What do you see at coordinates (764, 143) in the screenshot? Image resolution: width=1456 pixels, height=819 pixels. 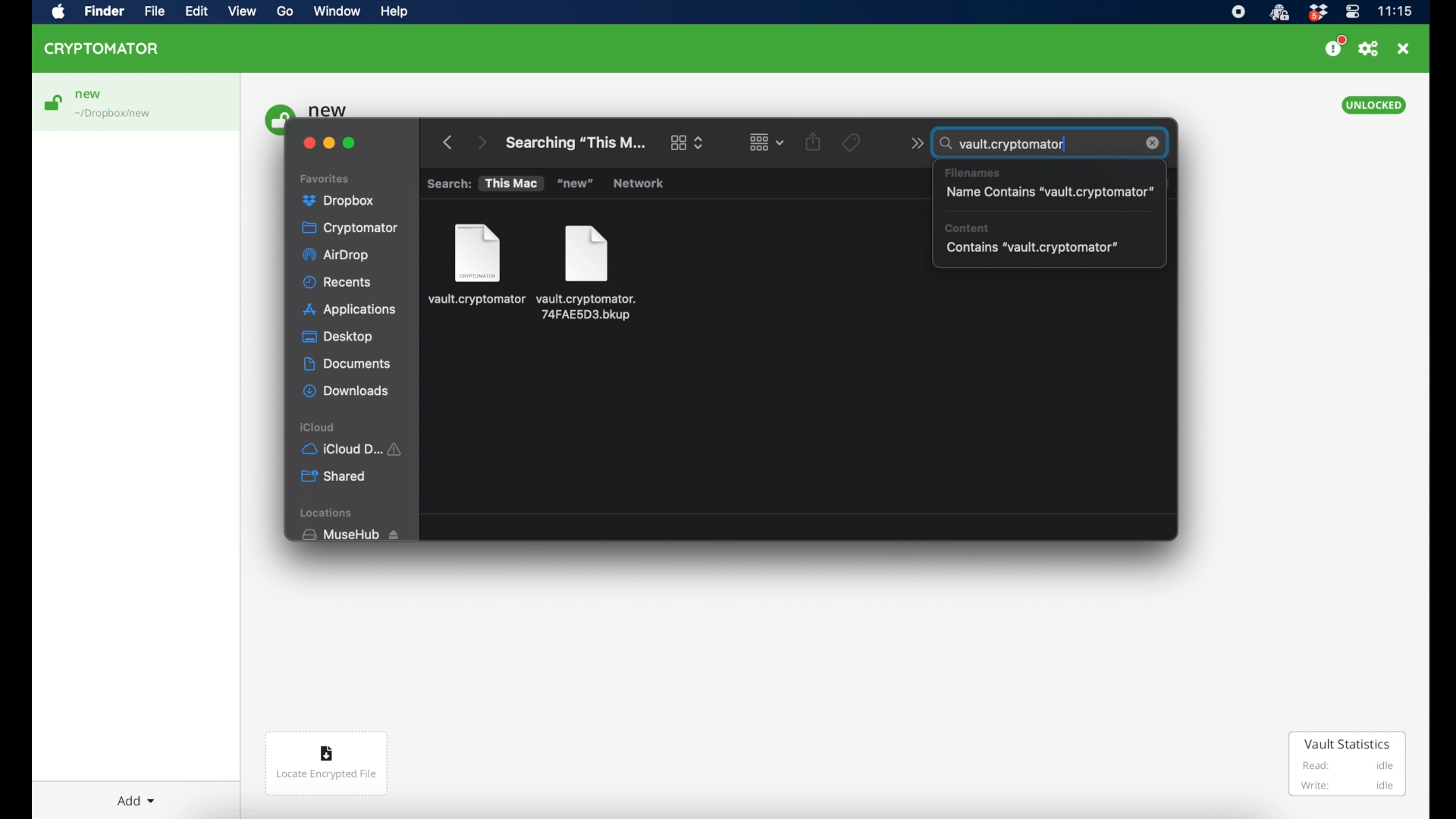 I see `change item grouping` at bounding box center [764, 143].